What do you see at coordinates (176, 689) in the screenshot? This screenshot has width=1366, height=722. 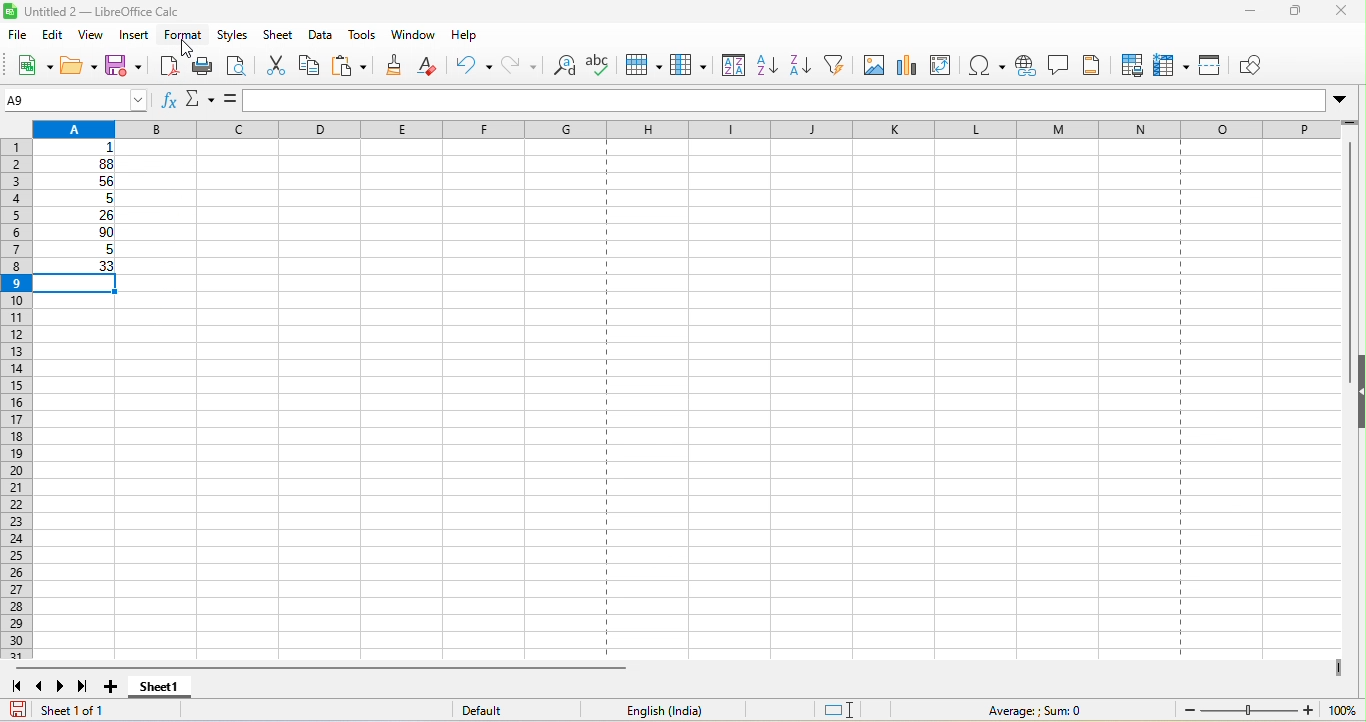 I see `sheet 1` at bounding box center [176, 689].